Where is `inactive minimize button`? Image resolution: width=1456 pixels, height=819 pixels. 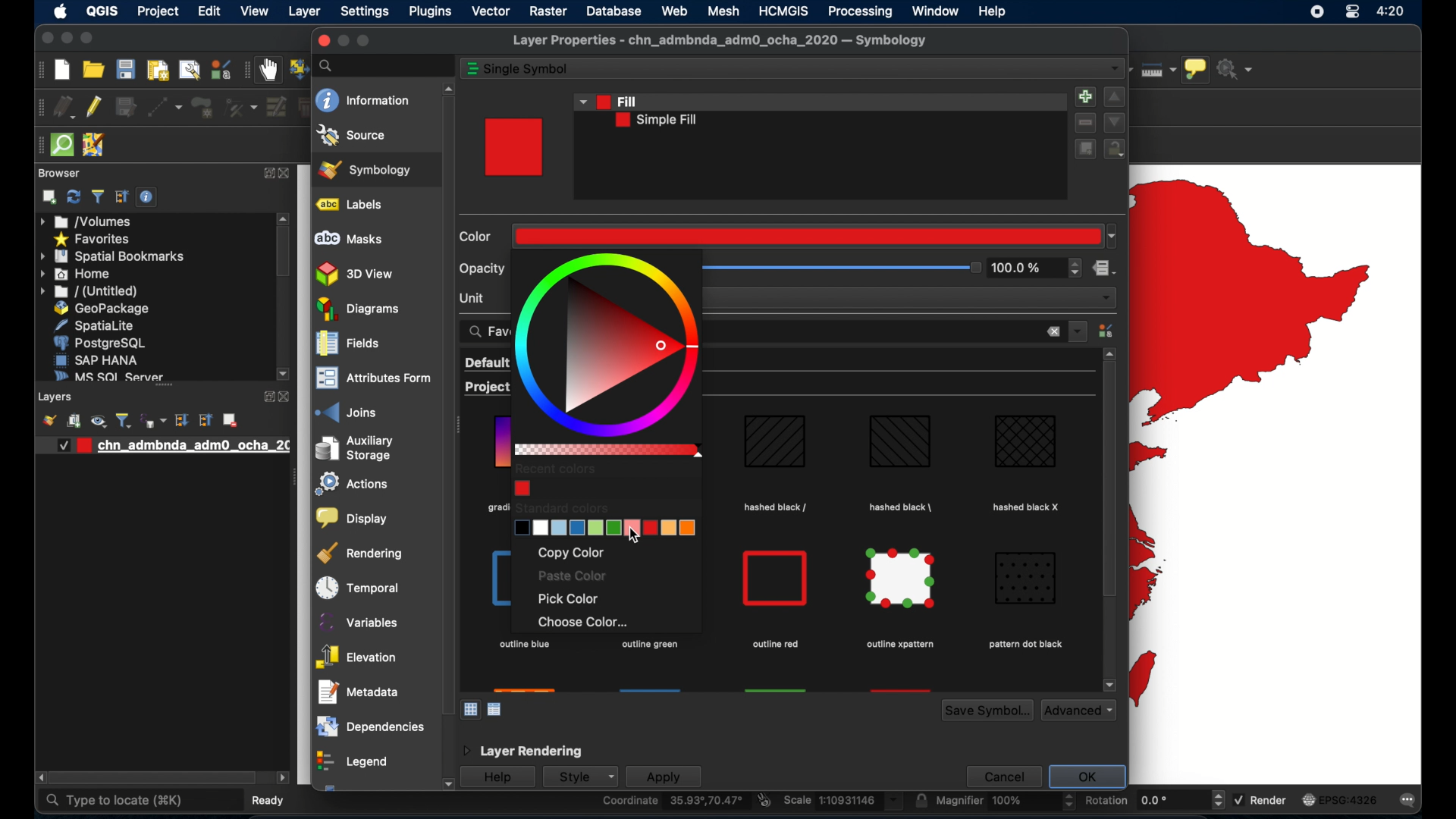 inactive minimize button is located at coordinates (343, 41).